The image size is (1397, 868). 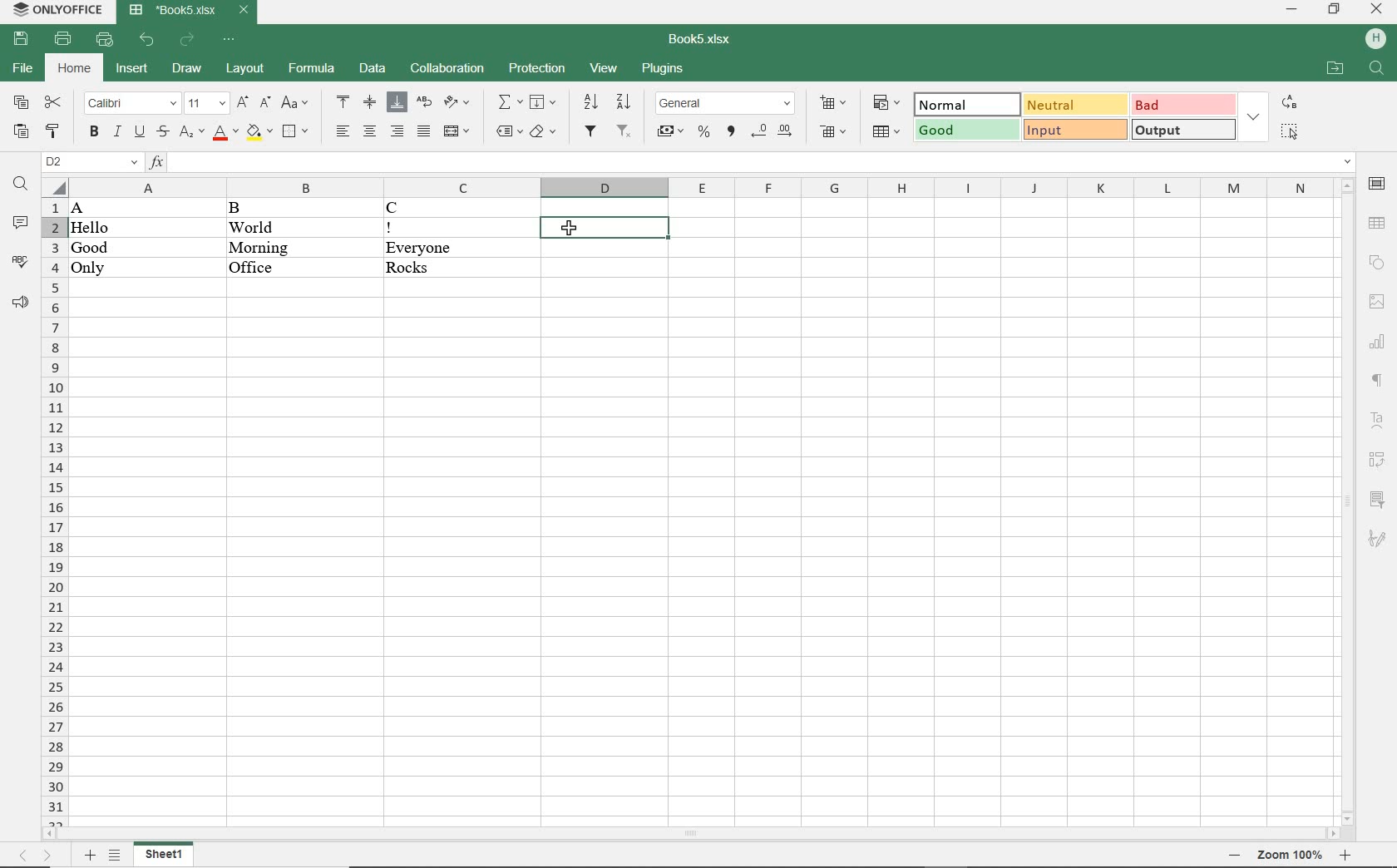 What do you see at coordinates (22, 103) in the screenshot?
I see `COPY` at bounding box center [22, 103].